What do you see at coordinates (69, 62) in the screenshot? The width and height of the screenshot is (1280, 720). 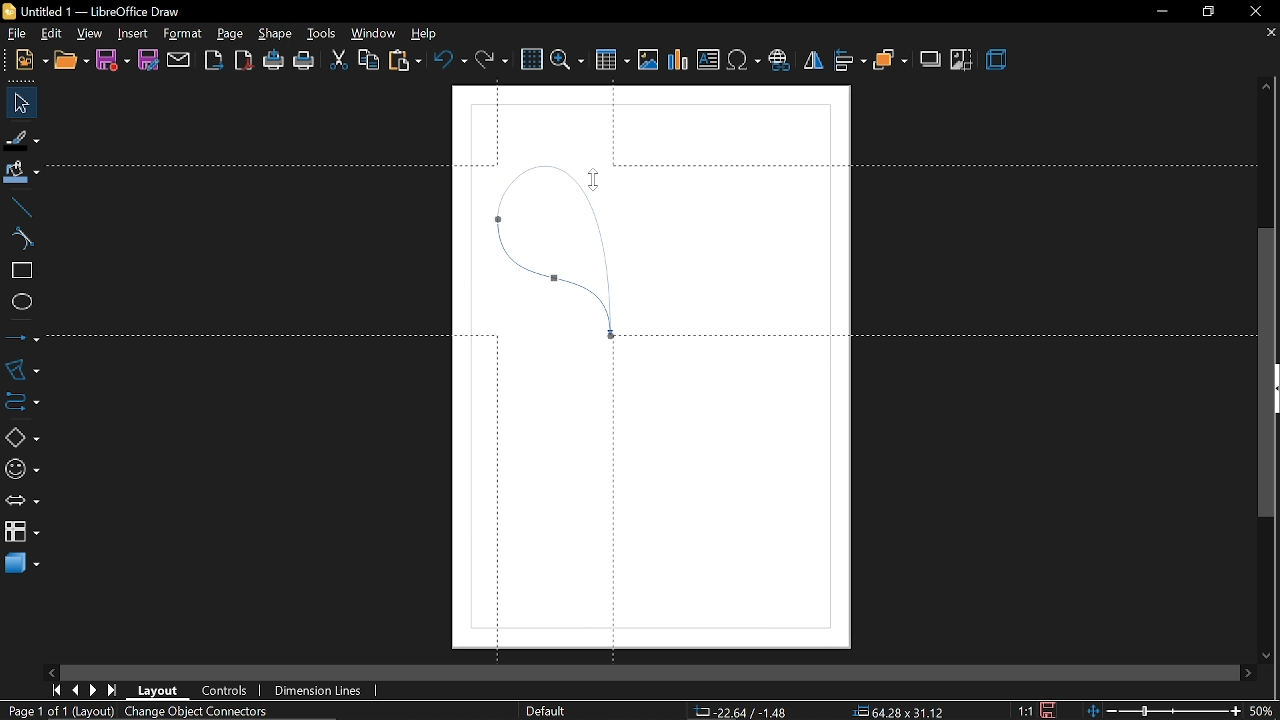 I see `open` at bounding box center [69, 62].